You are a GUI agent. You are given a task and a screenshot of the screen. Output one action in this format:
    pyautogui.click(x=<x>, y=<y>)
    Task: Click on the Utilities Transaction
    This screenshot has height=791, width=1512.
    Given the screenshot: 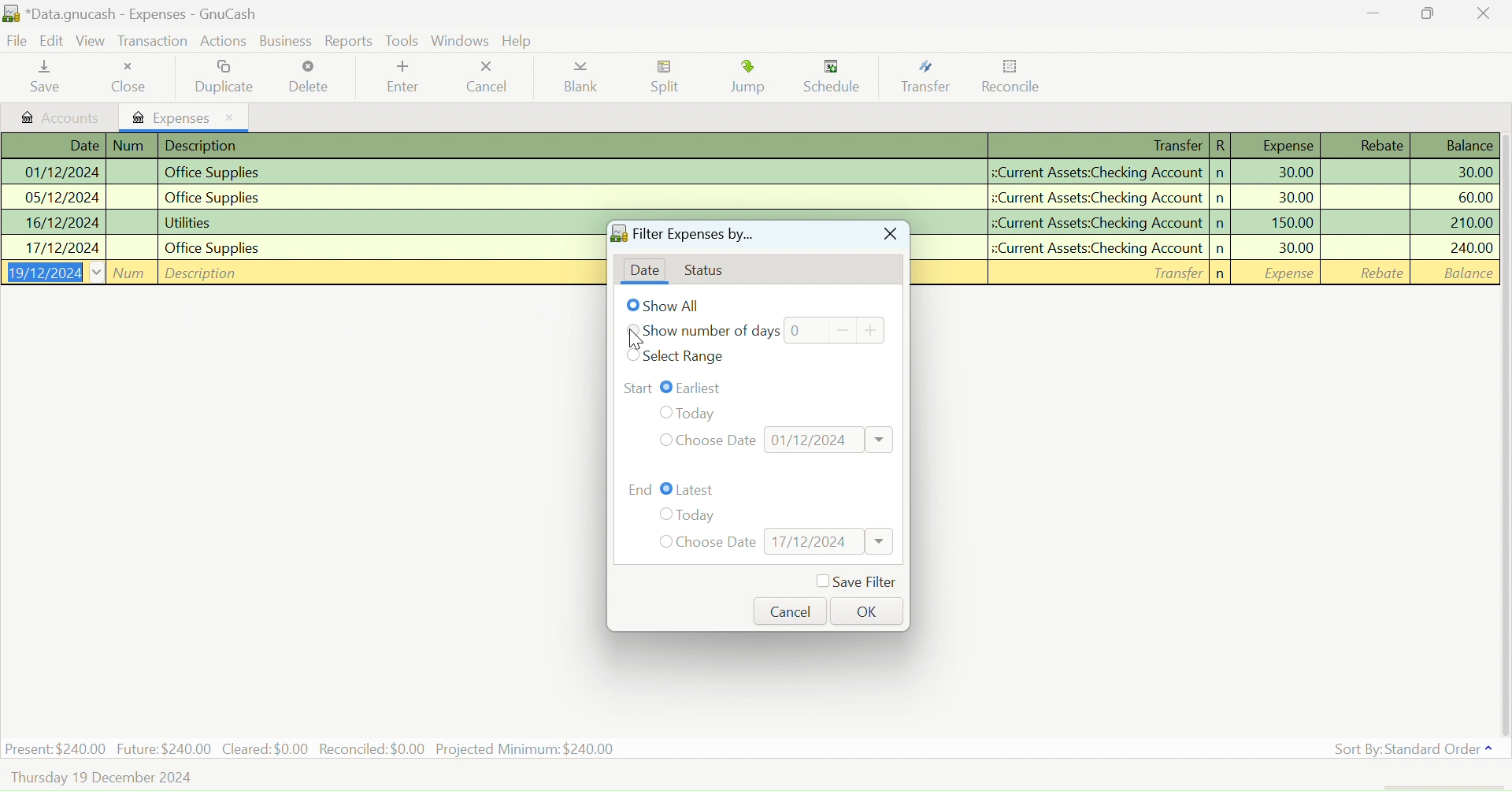 What is the action you would take?
    pyautogui.click(x=301, y=223)
    